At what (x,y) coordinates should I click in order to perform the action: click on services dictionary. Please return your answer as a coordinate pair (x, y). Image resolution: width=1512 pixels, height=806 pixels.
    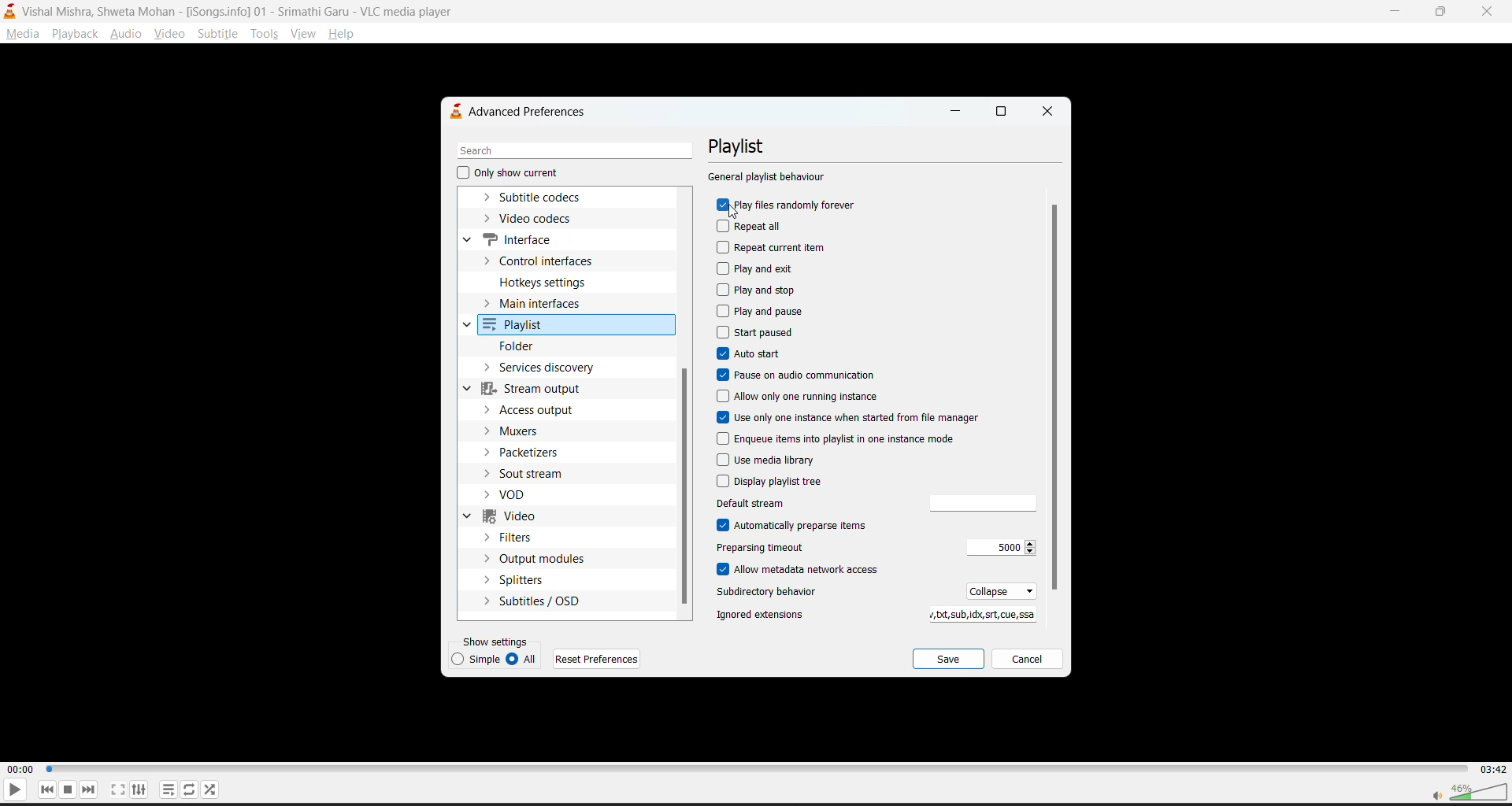
    Looking at the image, I should click on (553, 369).